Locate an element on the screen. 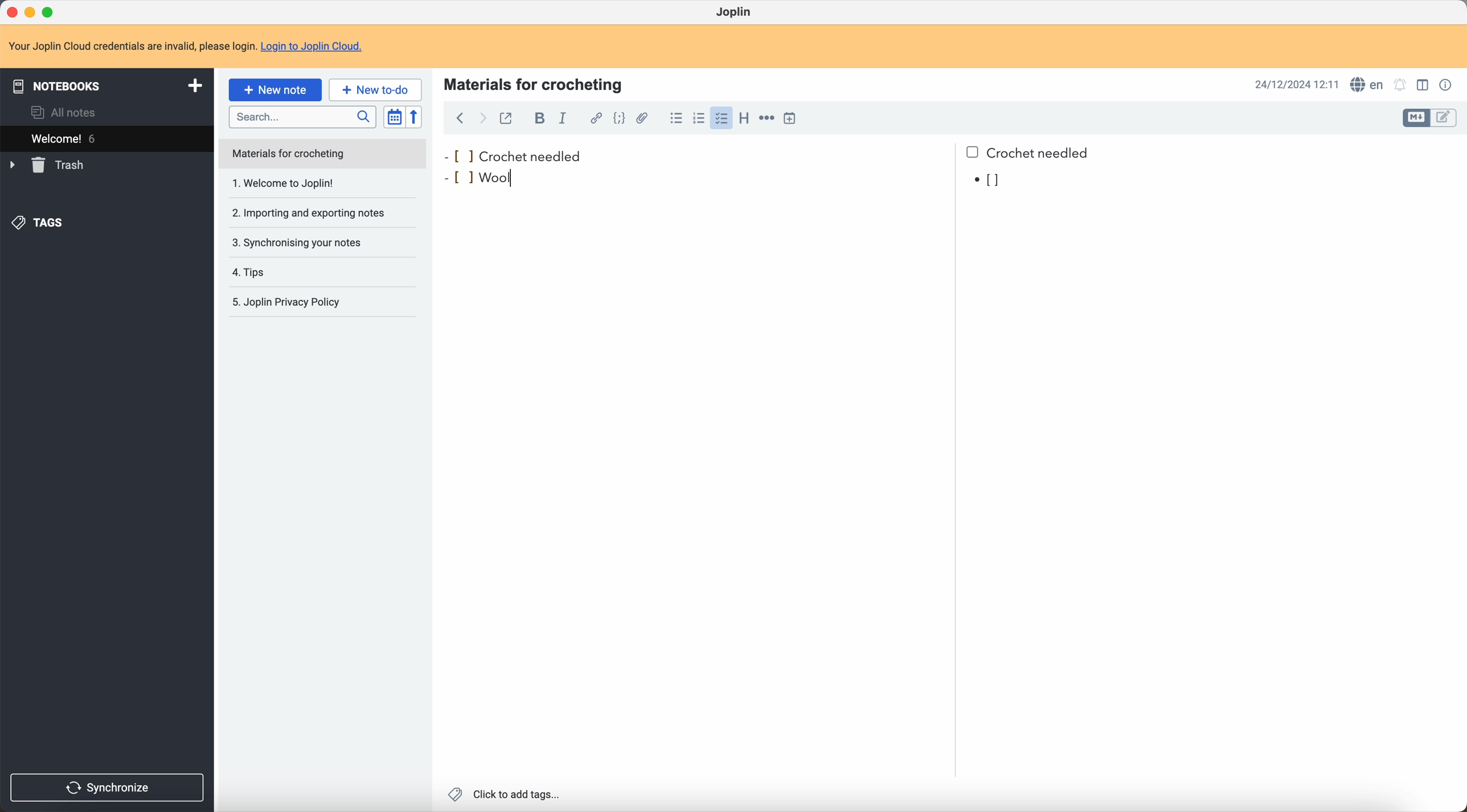 This screenshot has height=812, width=1467. bulleted list is located at coordinates (675, 118).